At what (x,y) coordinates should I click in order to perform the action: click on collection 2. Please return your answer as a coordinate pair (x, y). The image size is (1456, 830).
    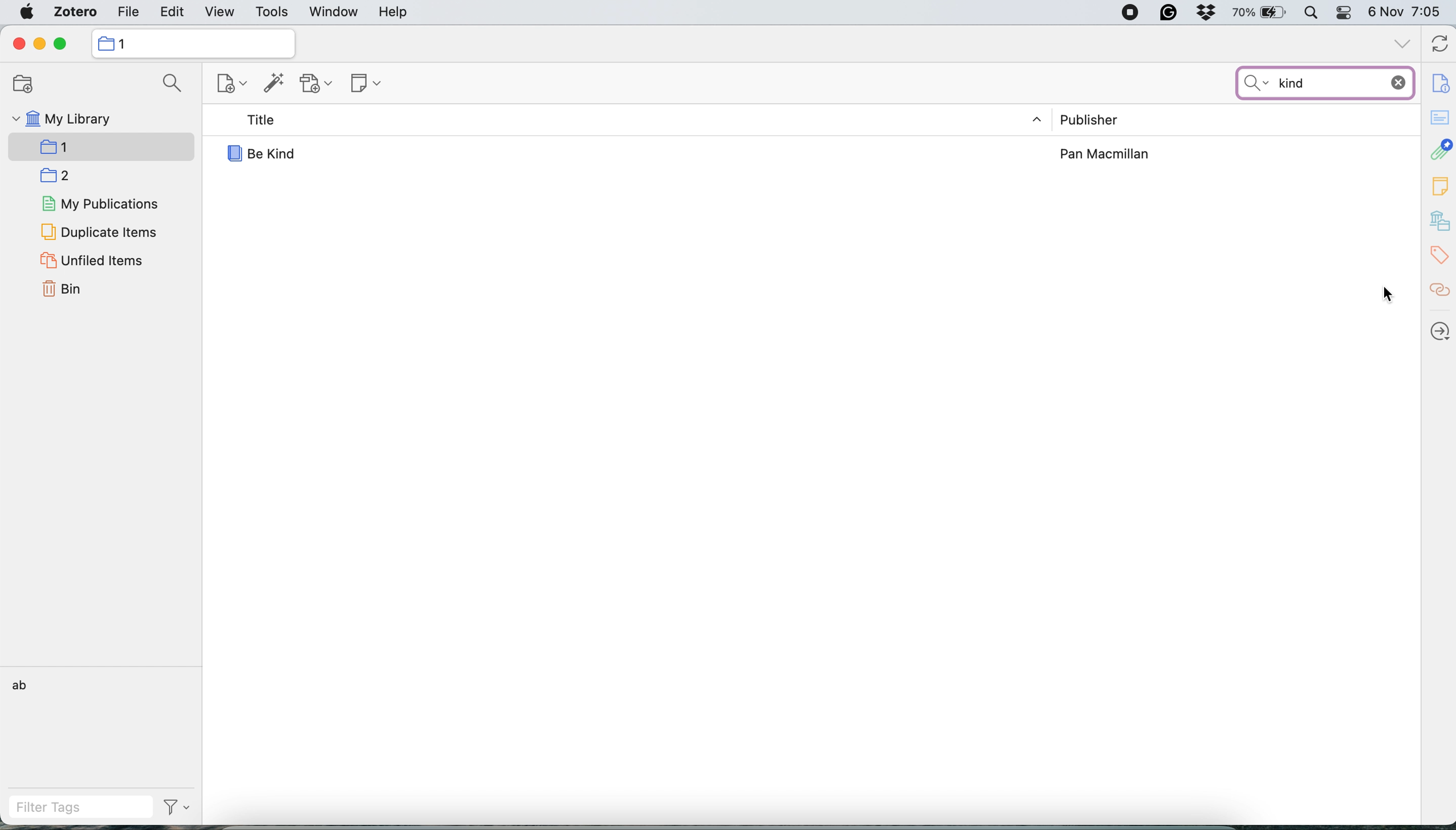
    Looking at the image, I should click on (60, 176).